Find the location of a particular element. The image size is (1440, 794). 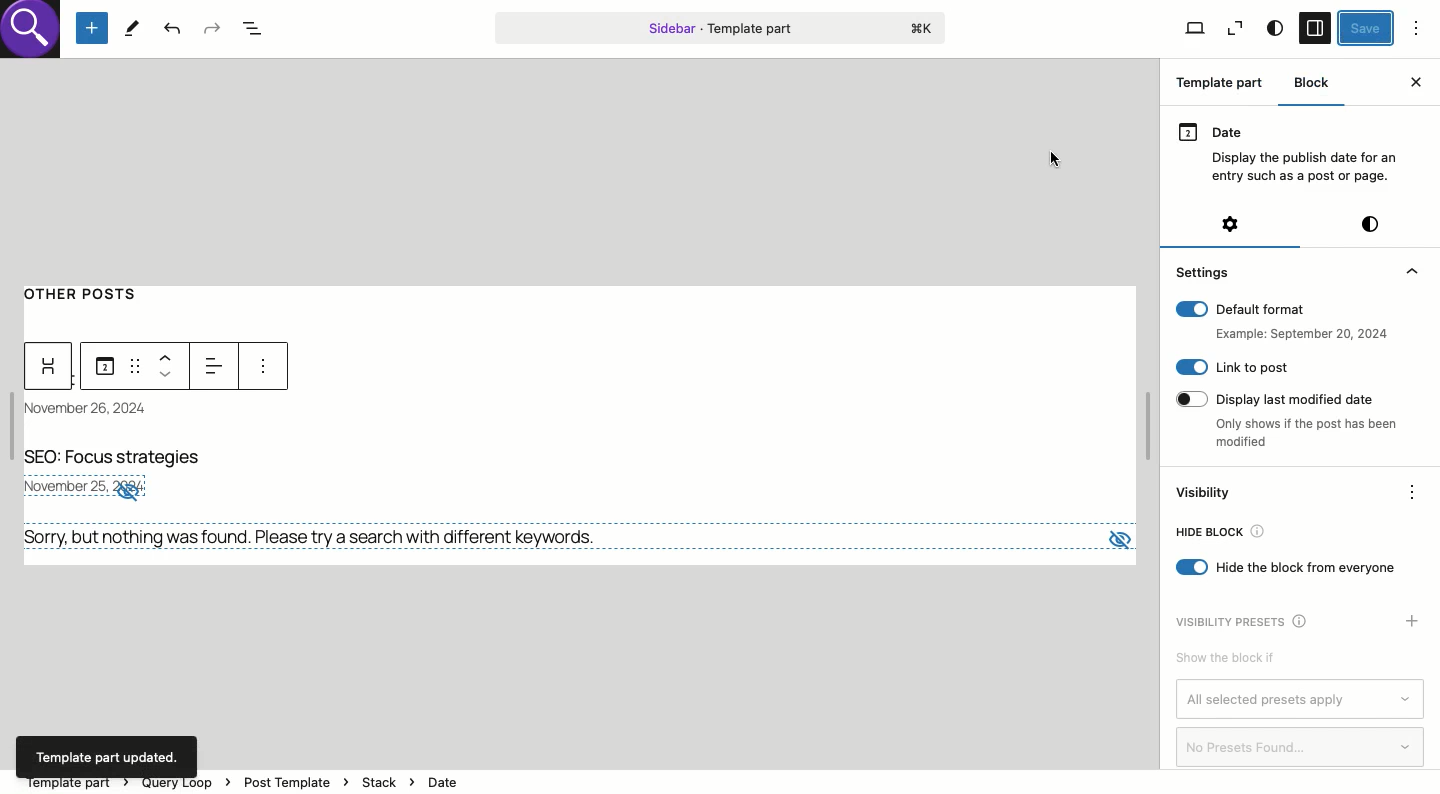

view is located at coordinates (1116, 534).